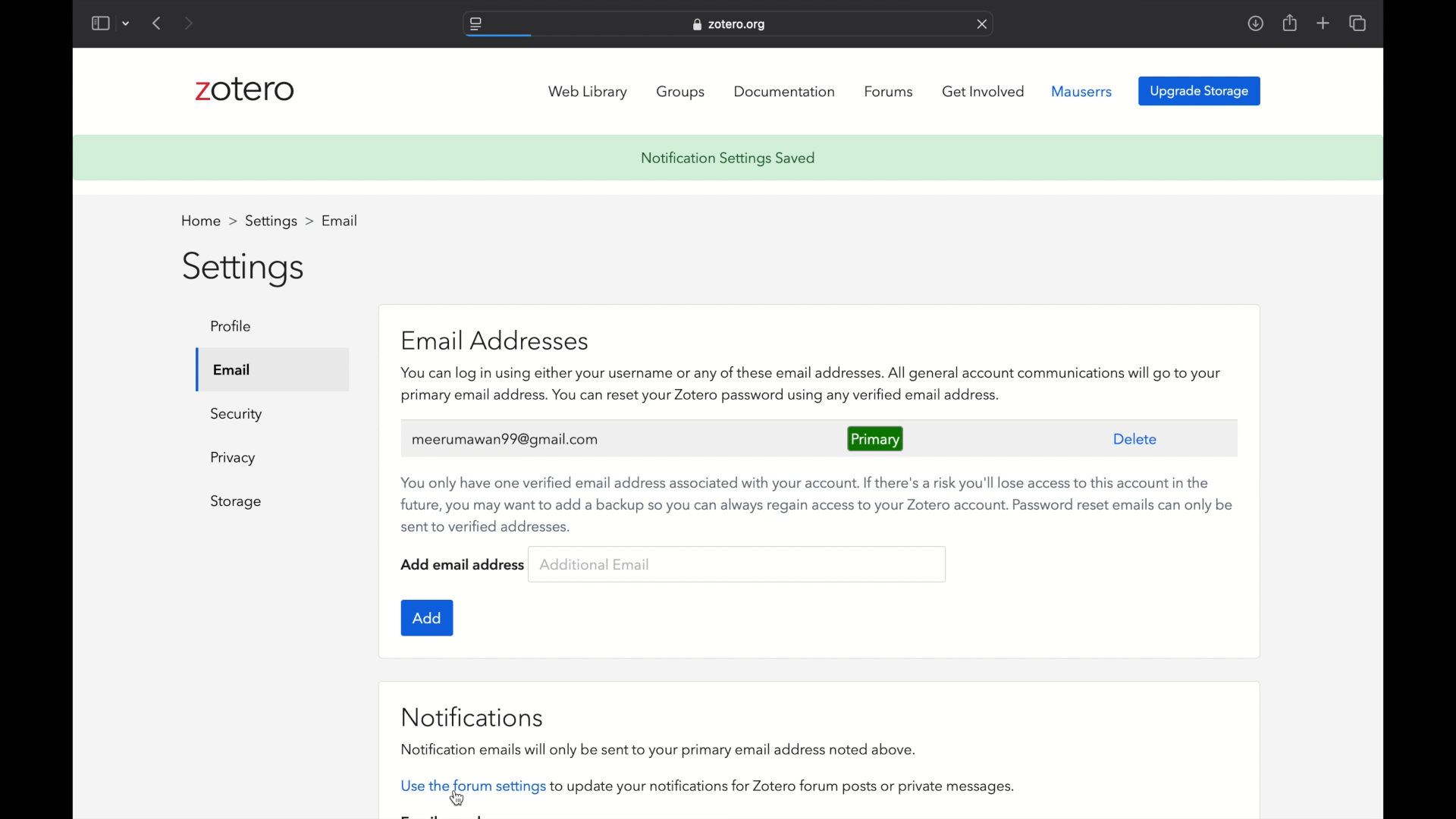 The image size is (1456, 819). Describe the element at coordinates (595, 563) in the screenshot. I see `additional email` at that location.